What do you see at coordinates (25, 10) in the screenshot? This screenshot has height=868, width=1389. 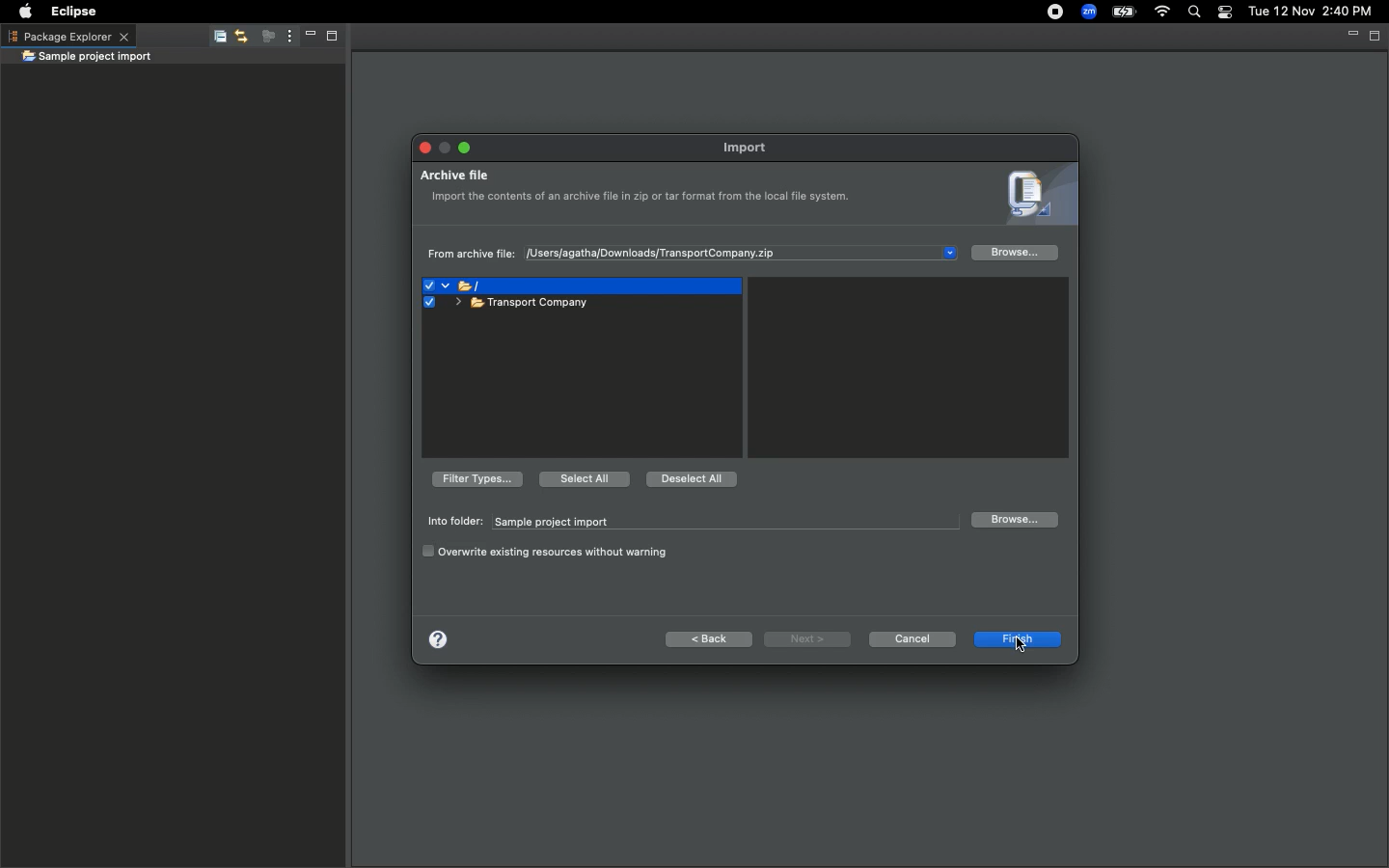 I see `Apple logo` at bounding box center [25, 10].